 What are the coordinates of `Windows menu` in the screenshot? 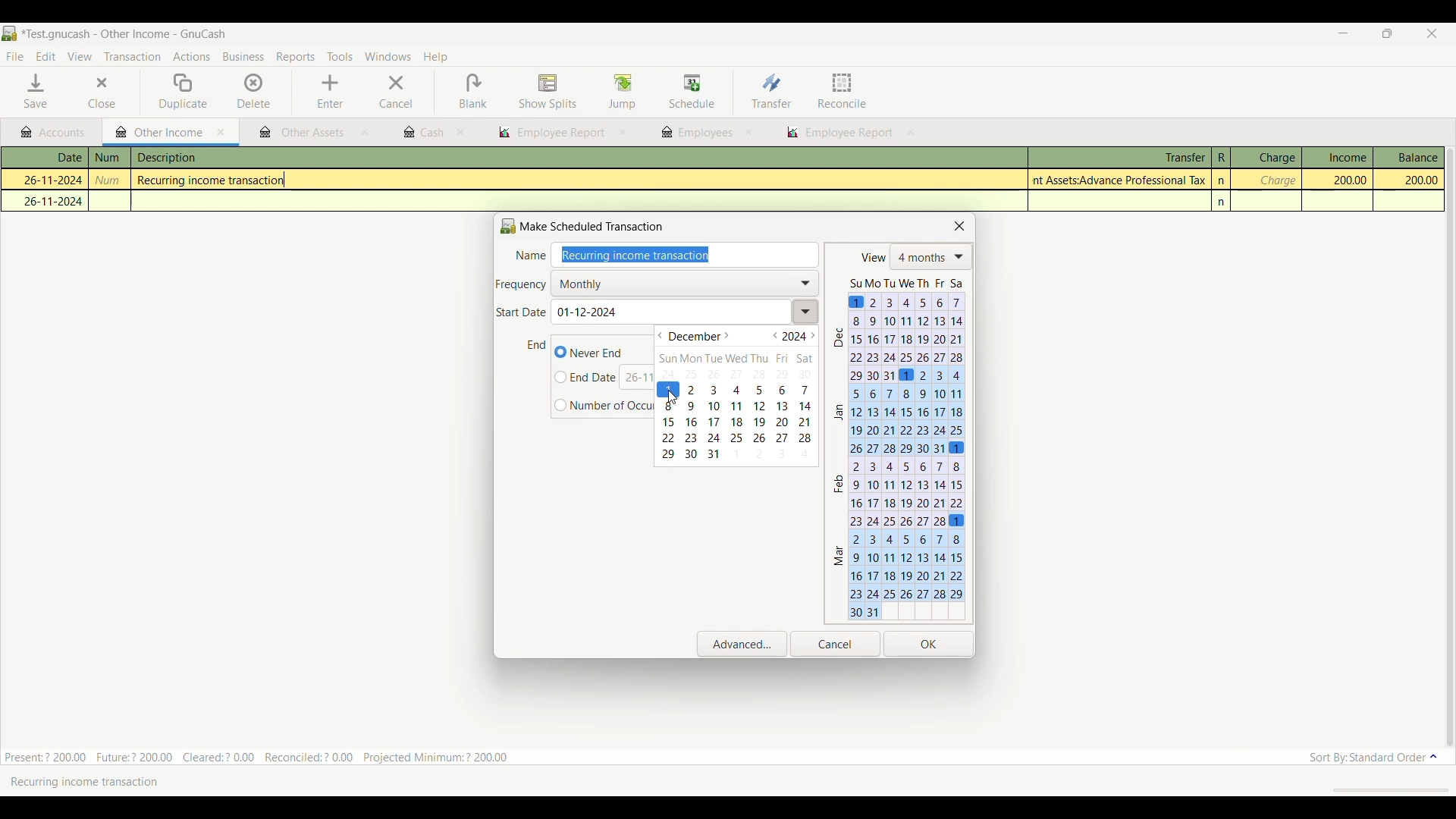 It's located at (388, 57).